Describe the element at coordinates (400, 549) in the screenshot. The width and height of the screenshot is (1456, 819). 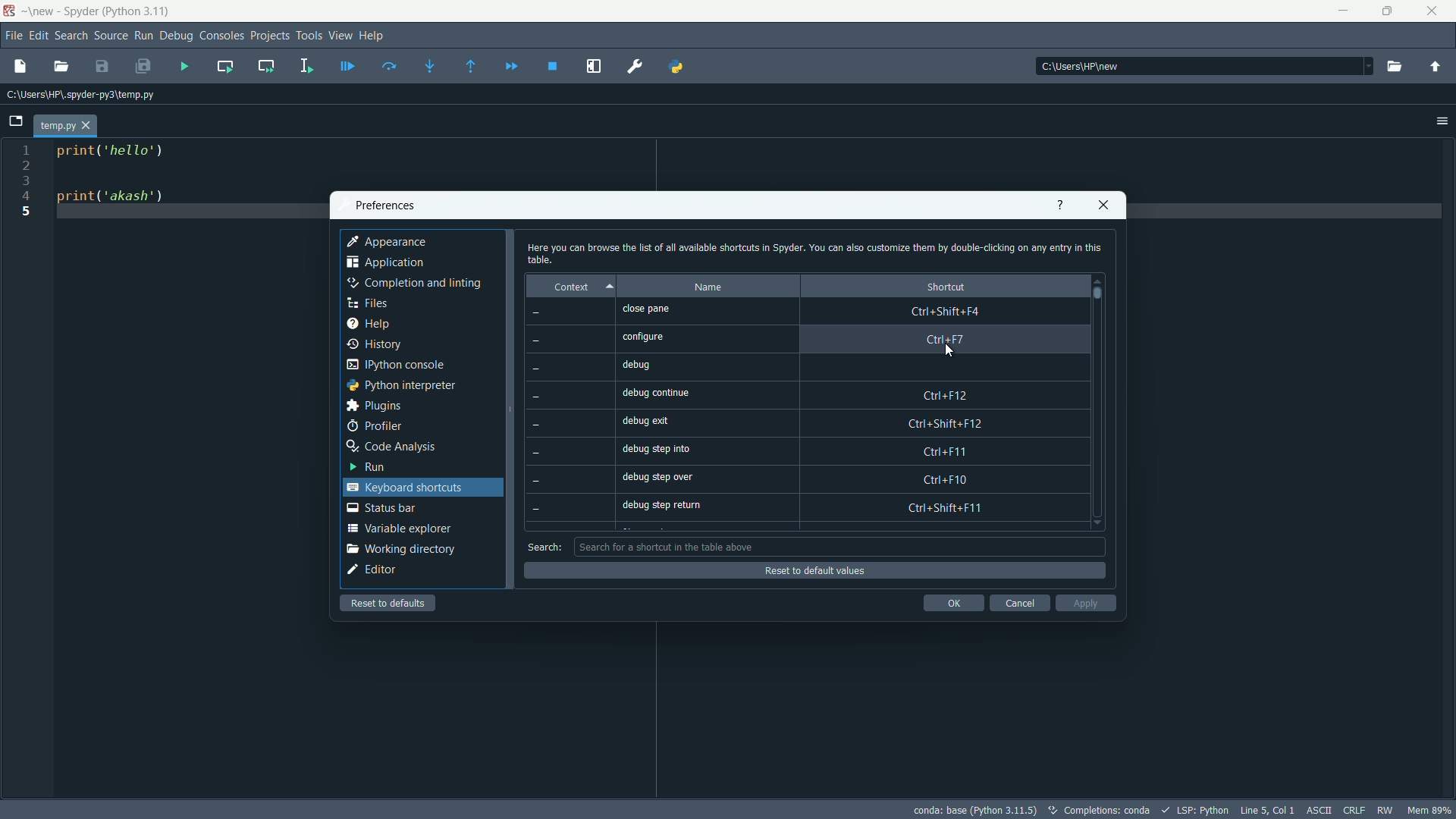
I see `working directory` at that location.